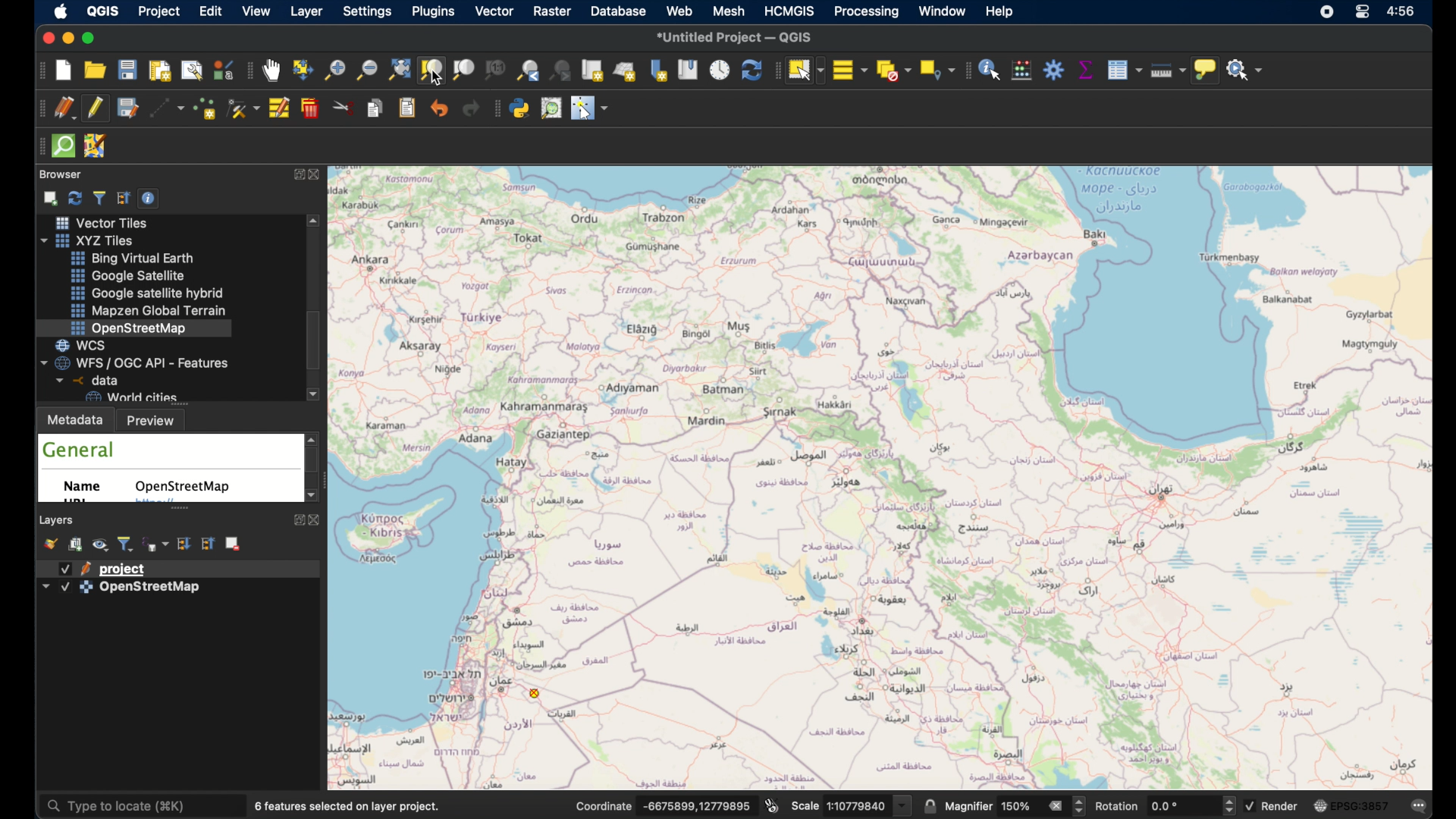  What do you see at coordinates (94, 70) in the screenshot?
I see `open project` at bounding box center [94, 70].